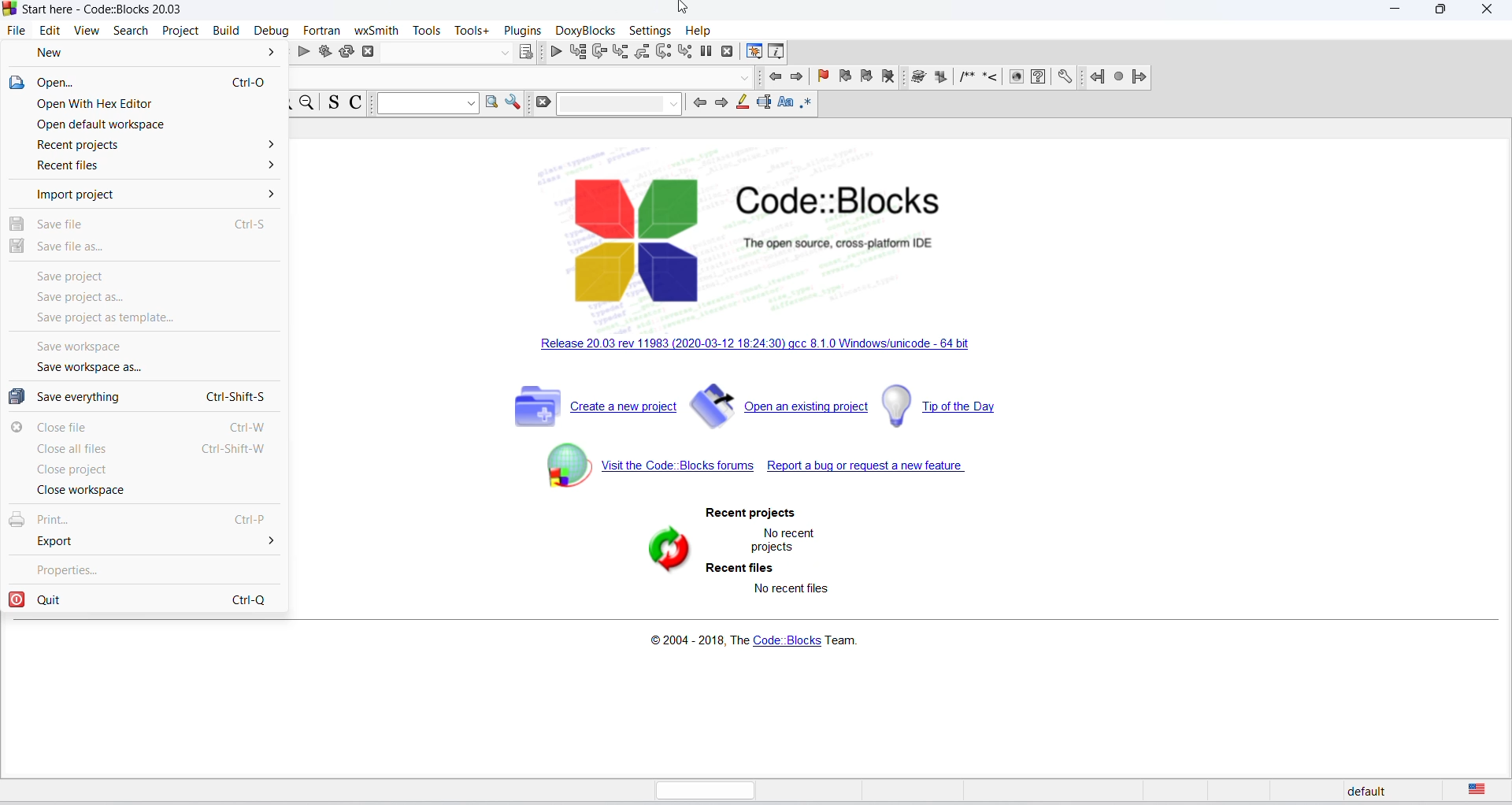  Describe the element at coordinates (527, 52) in the screenshot. I see `target dialog` at that location.